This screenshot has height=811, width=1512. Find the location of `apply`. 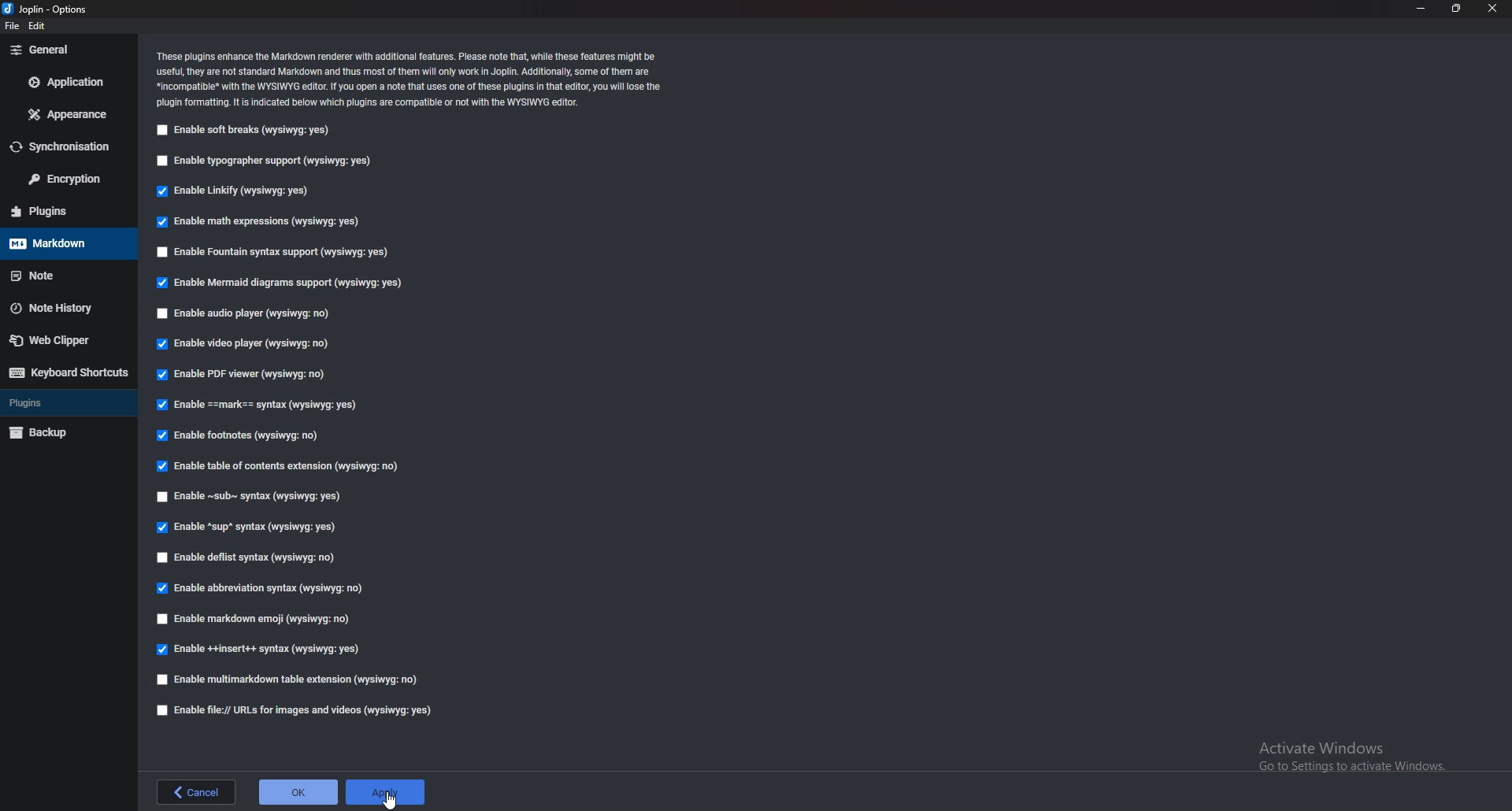

apply is located at coordinates (386, 787).